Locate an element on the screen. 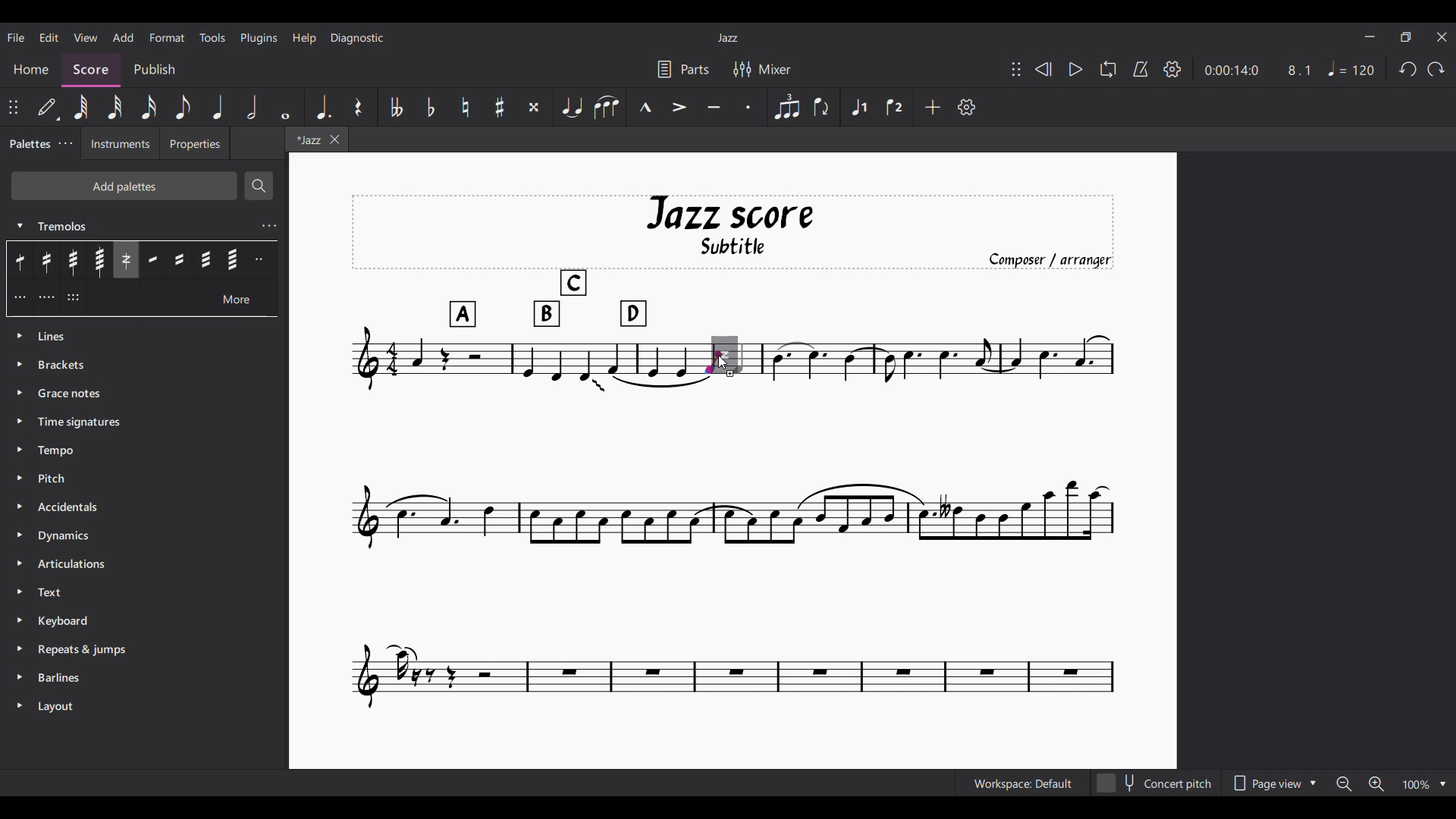  Whole note is located at coordinates (287, 107).